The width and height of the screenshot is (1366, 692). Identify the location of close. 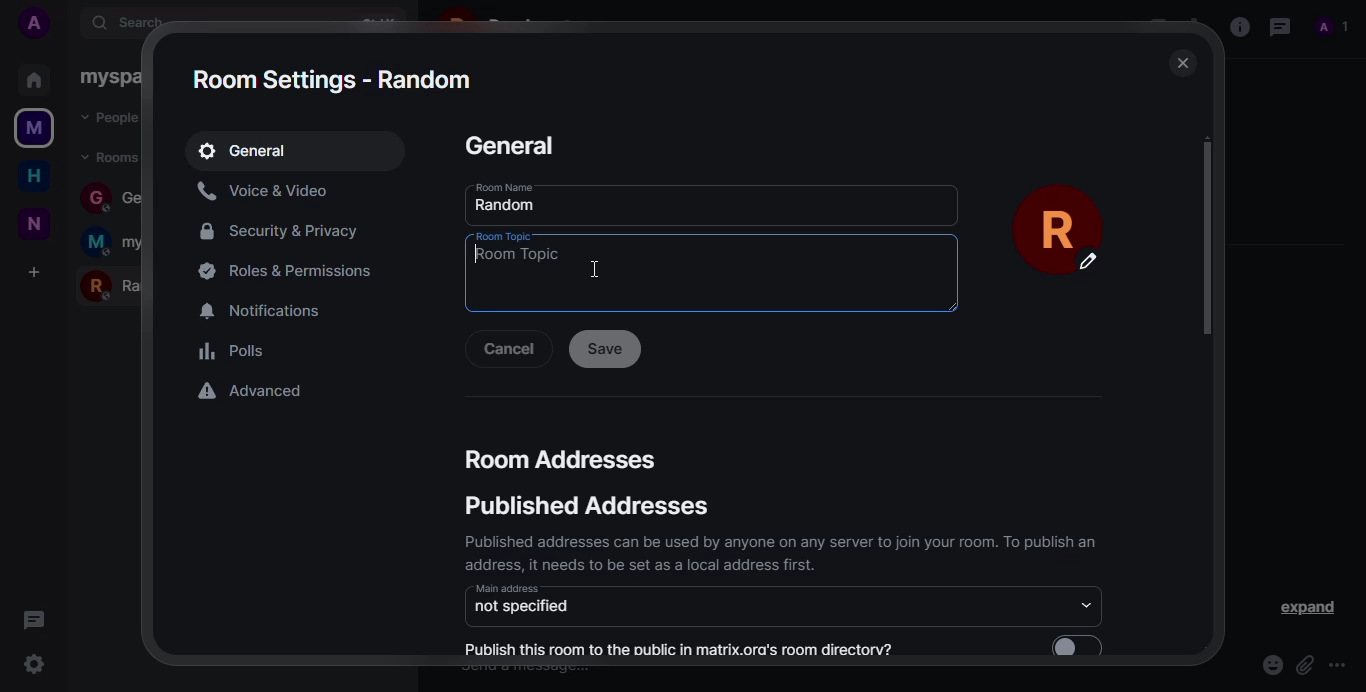
(1178, 62).